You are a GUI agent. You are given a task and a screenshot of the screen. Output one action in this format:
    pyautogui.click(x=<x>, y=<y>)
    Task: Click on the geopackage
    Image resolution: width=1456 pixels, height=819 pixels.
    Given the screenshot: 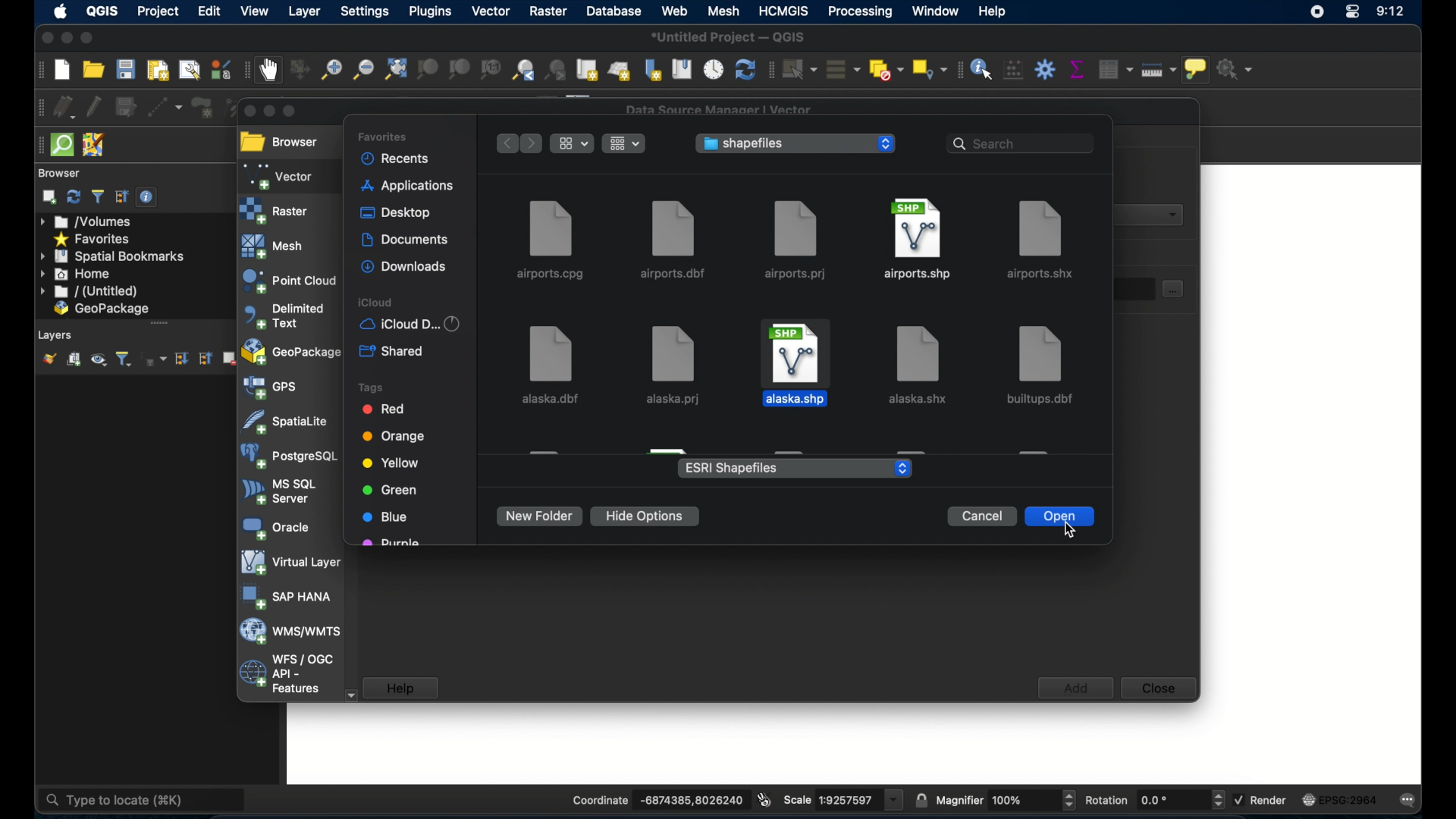 What is the action you would take?
    pyautogui.click(x=292, y=353)
    